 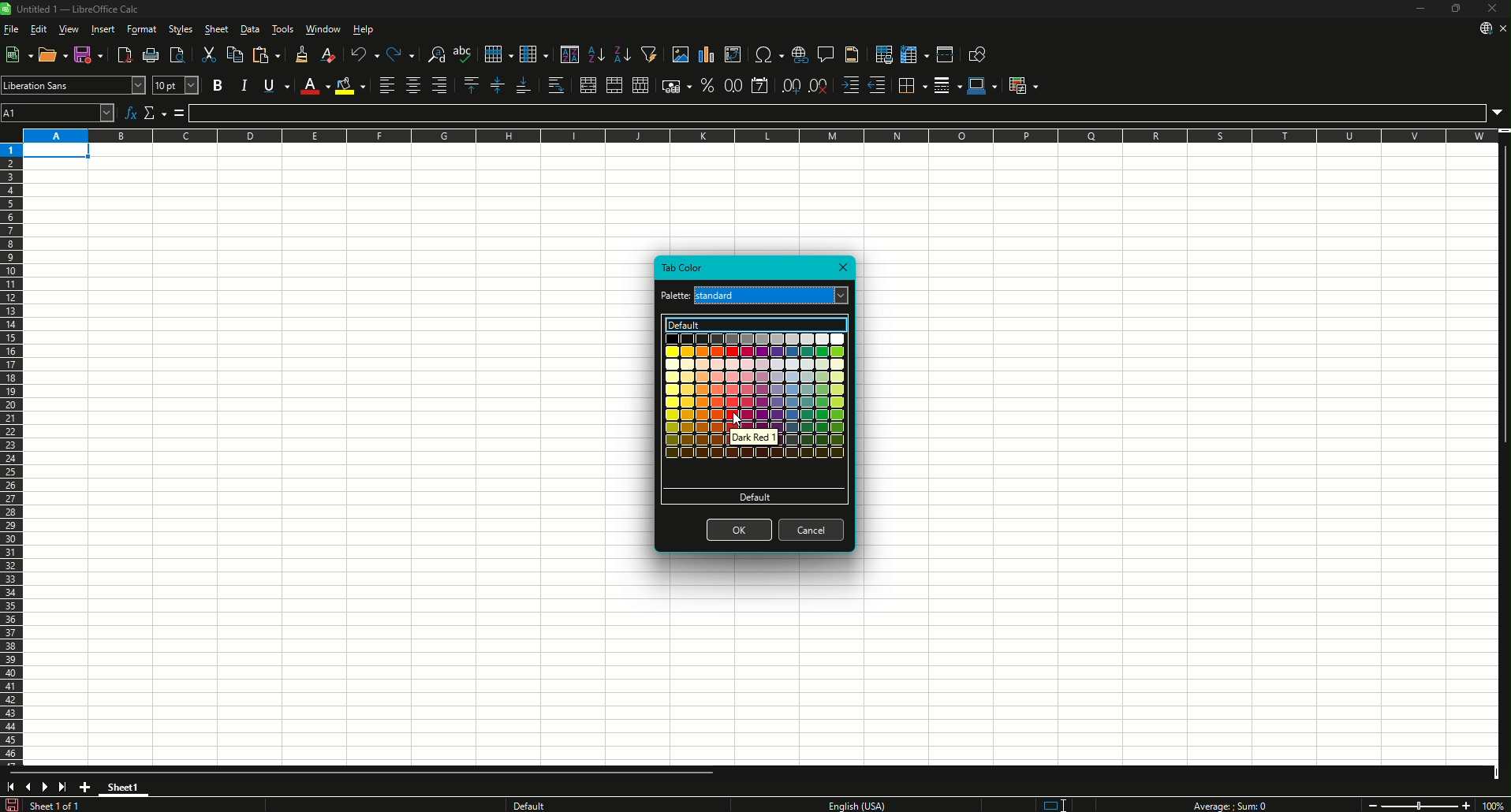 What do you see at coordinates (535, 54) in the screenshot?
I see `Column` at bounding box center [535, 54].